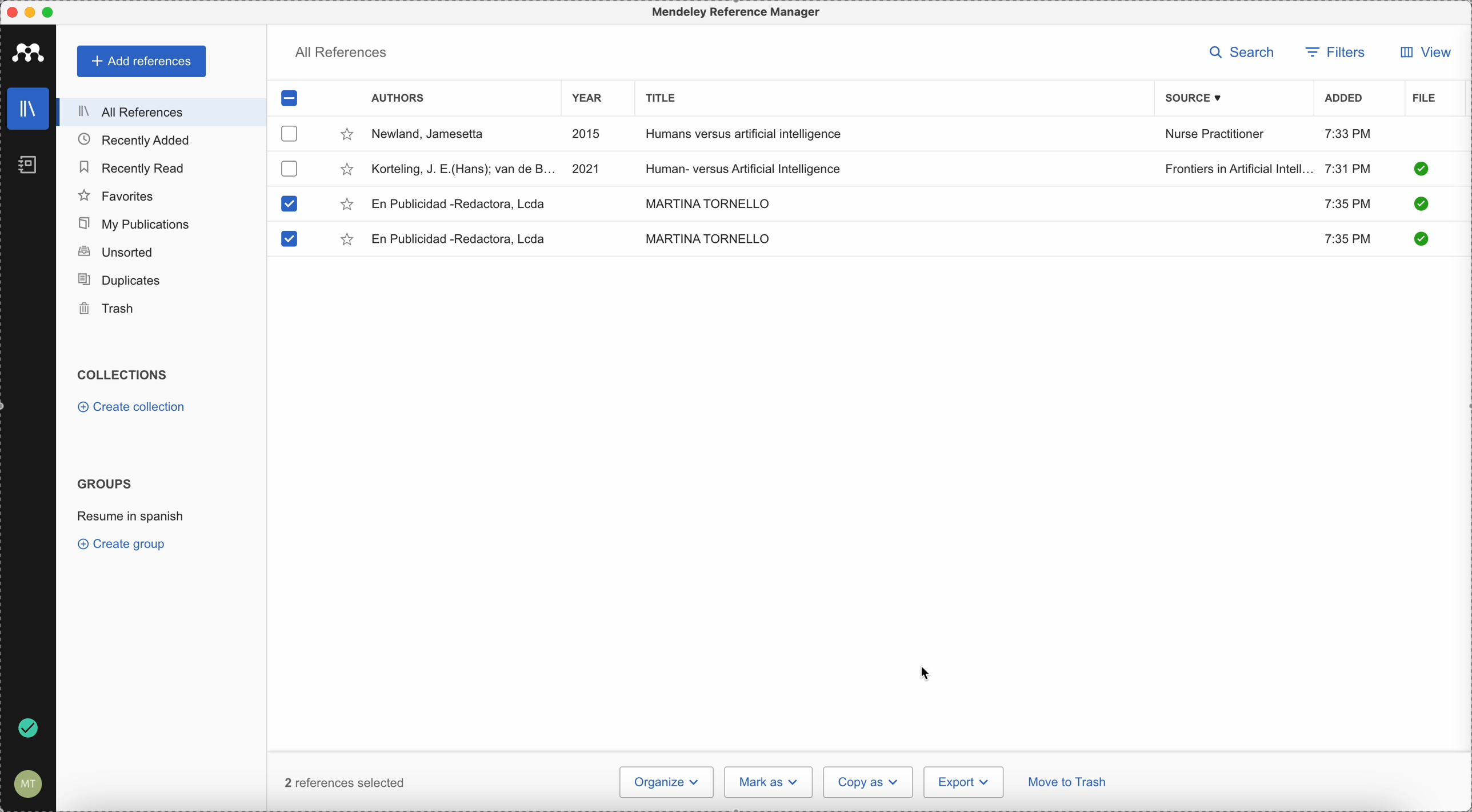 This screenshot has height=812, width=1472. What do you see at coordinates (341, 55) in the screenshot?
I see `all references` at bounding box center [341, 55].